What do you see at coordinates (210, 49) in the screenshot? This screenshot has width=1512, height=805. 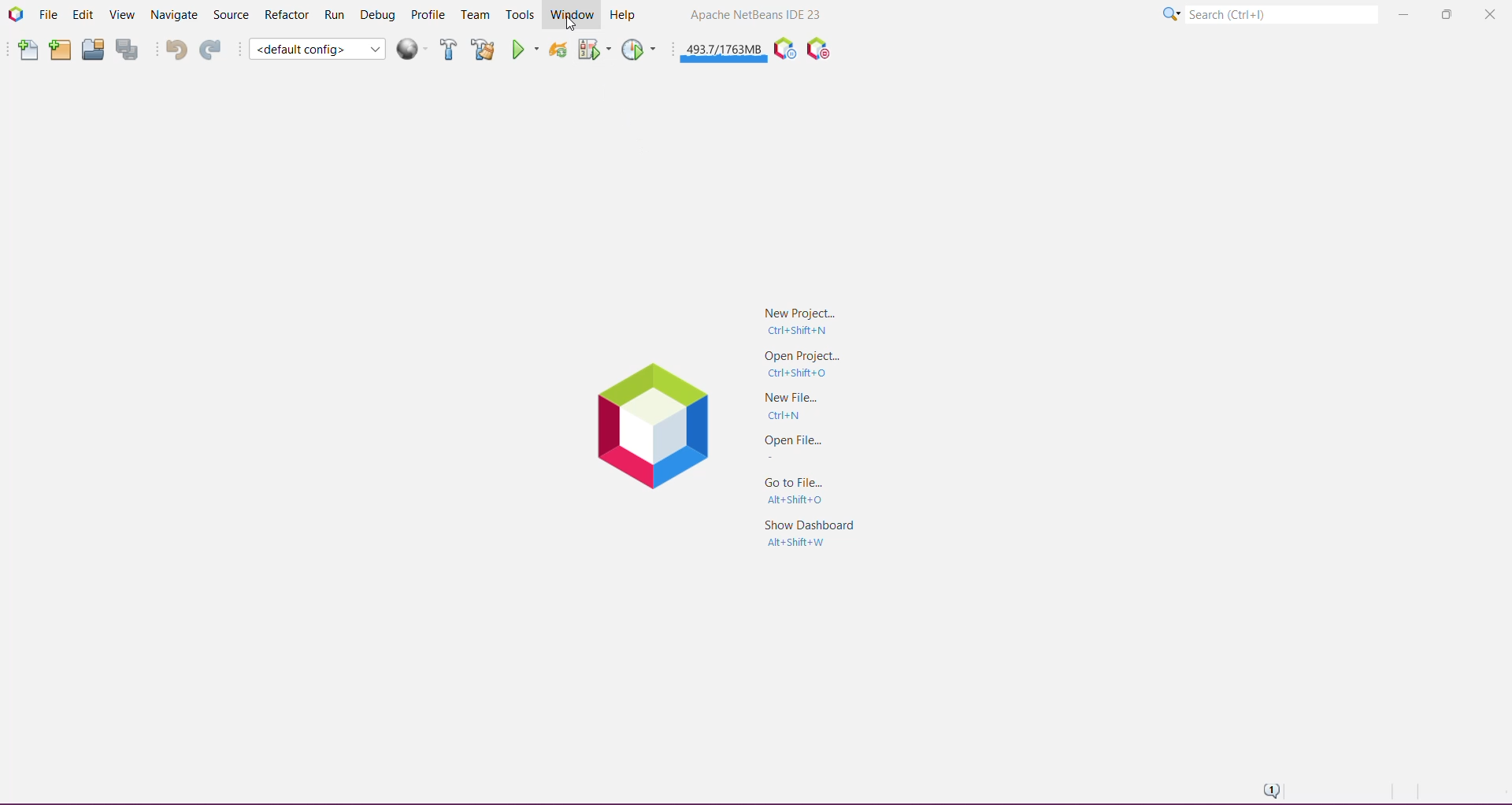 I see `Redo` at bounding box center [210, 49].